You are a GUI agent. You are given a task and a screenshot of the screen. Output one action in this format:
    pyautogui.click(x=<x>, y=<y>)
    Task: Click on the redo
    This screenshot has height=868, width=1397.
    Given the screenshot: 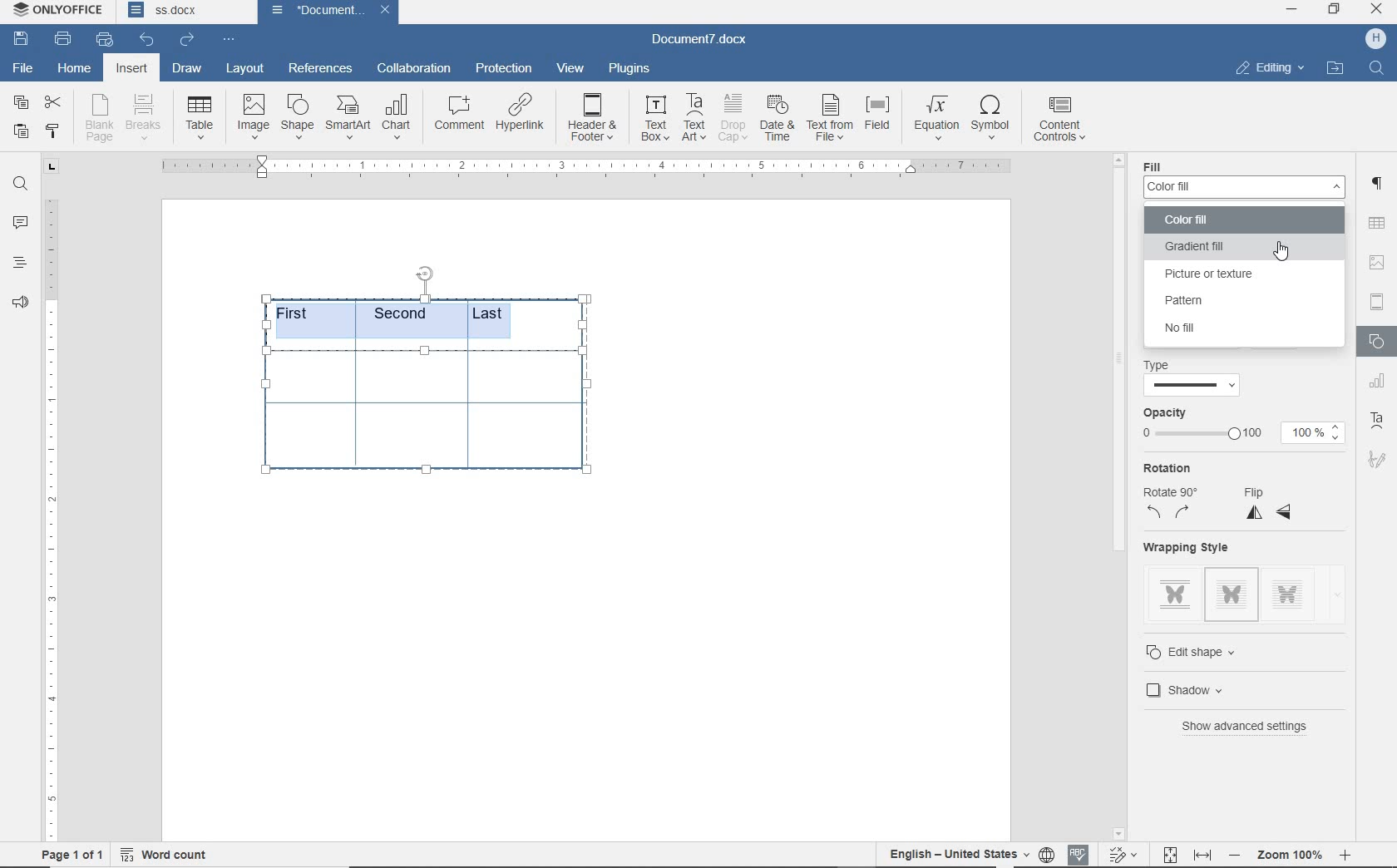 What is the action you would take?
    pyautogui.click(x=186, y=39)
    